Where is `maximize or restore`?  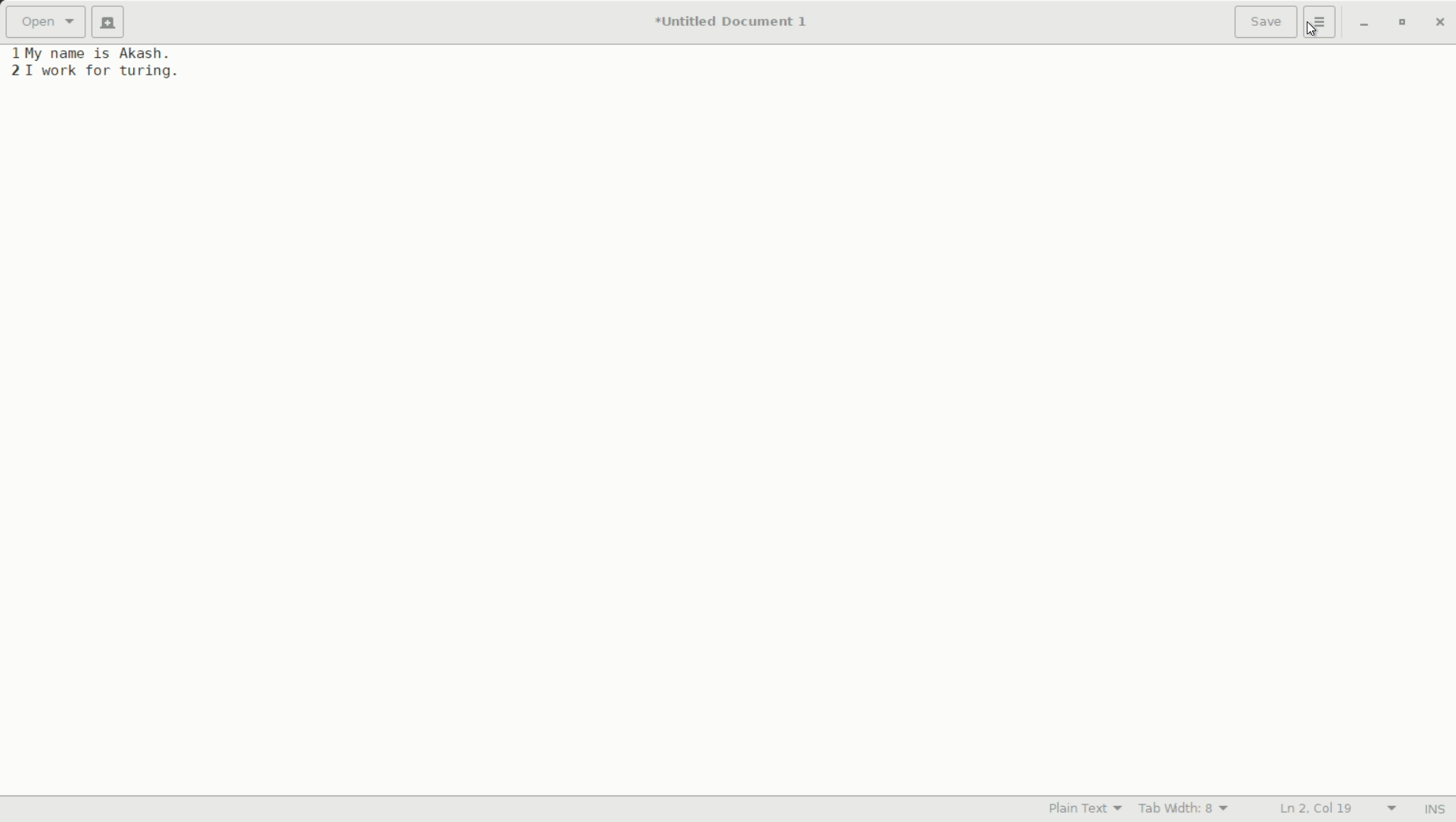
maximize or restore is located at coordinates (1403, 23).